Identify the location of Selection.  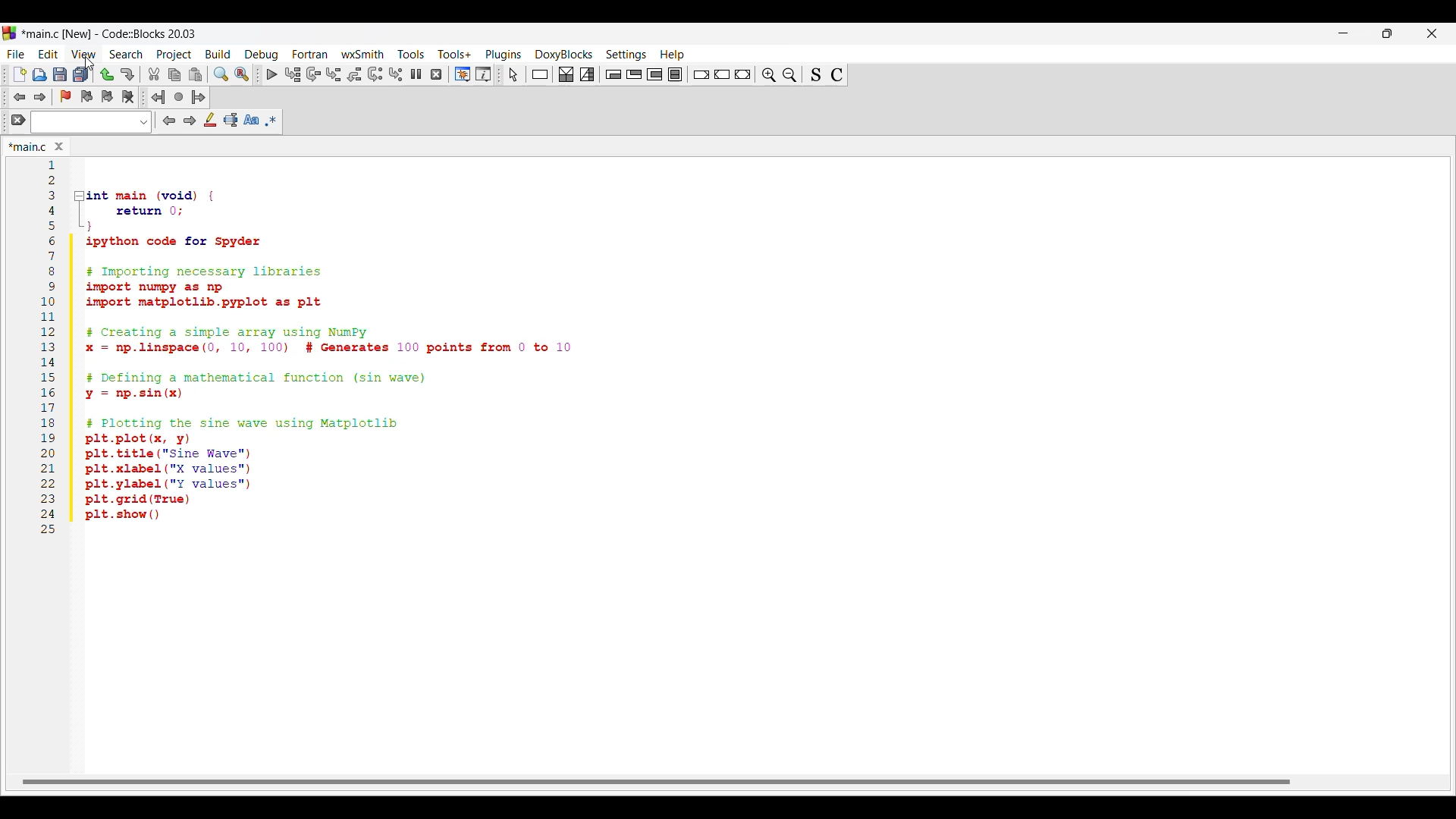
(587, 74).